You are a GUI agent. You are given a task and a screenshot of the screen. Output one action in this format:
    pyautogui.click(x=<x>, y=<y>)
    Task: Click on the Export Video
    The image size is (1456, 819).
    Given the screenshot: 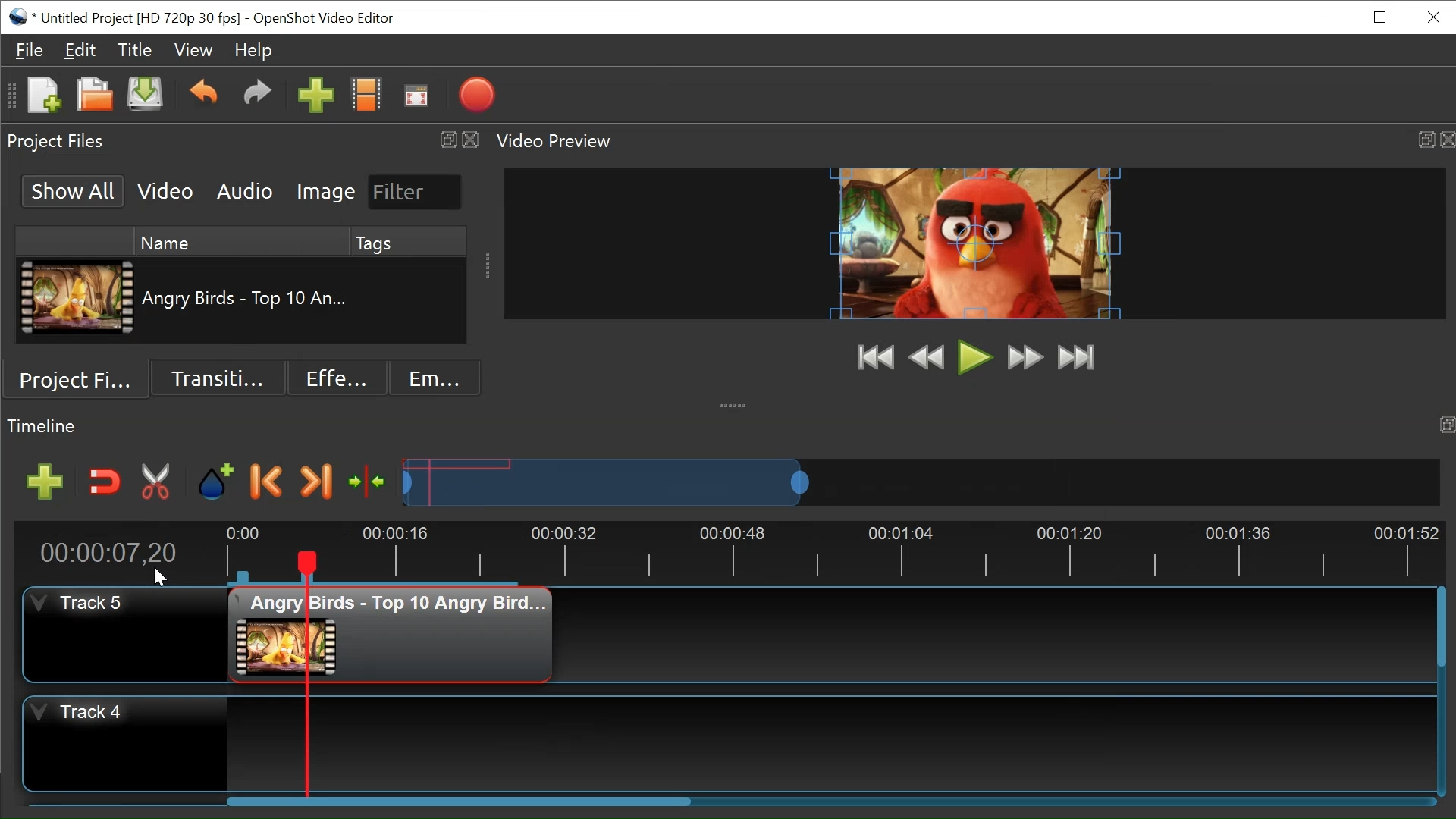 What is the action you would take?
    pyautogui.click(x=477, y=96)
    